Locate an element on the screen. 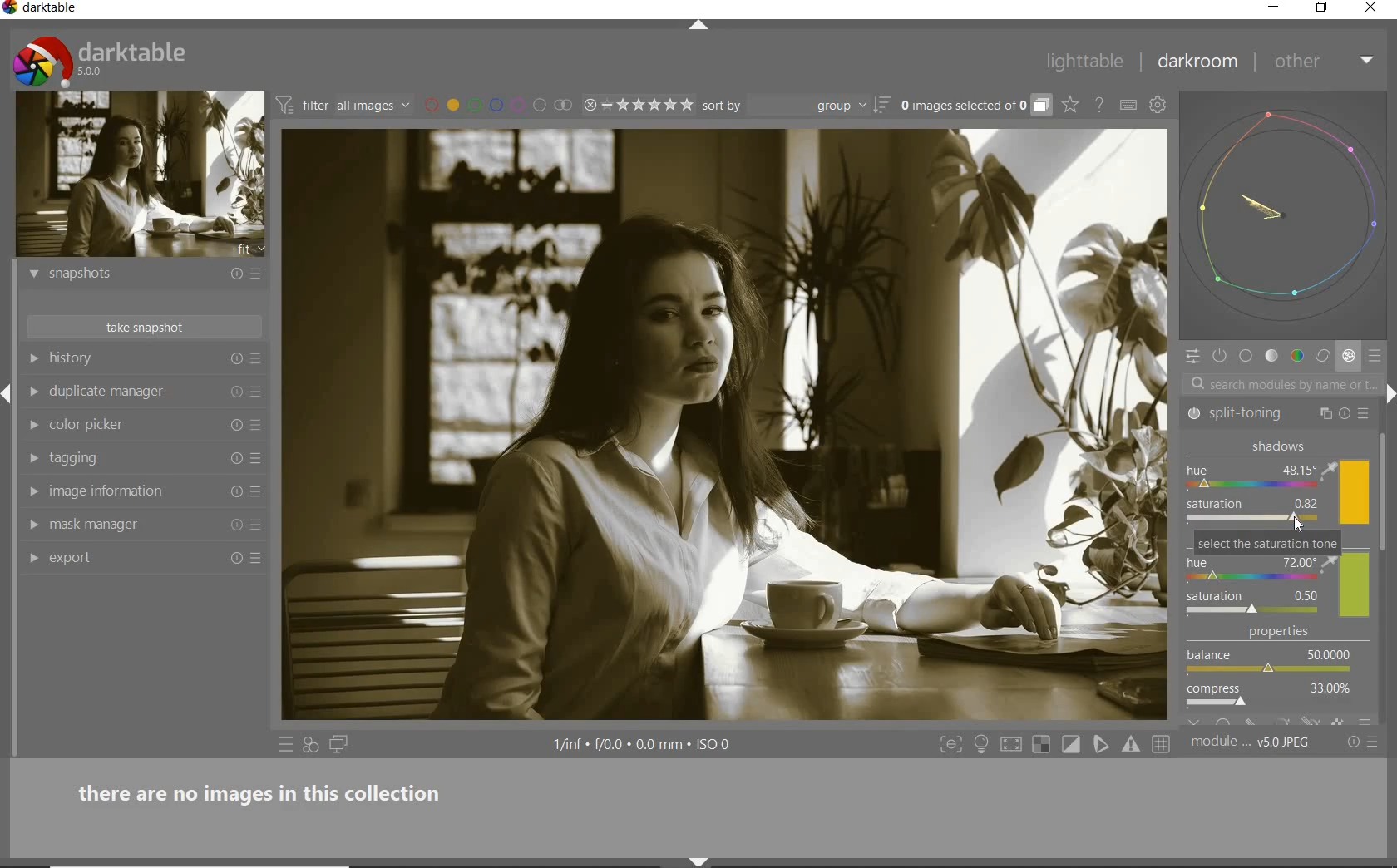 This screenshot has width=1397, height=868. reset is located at coordinates (234, 457).